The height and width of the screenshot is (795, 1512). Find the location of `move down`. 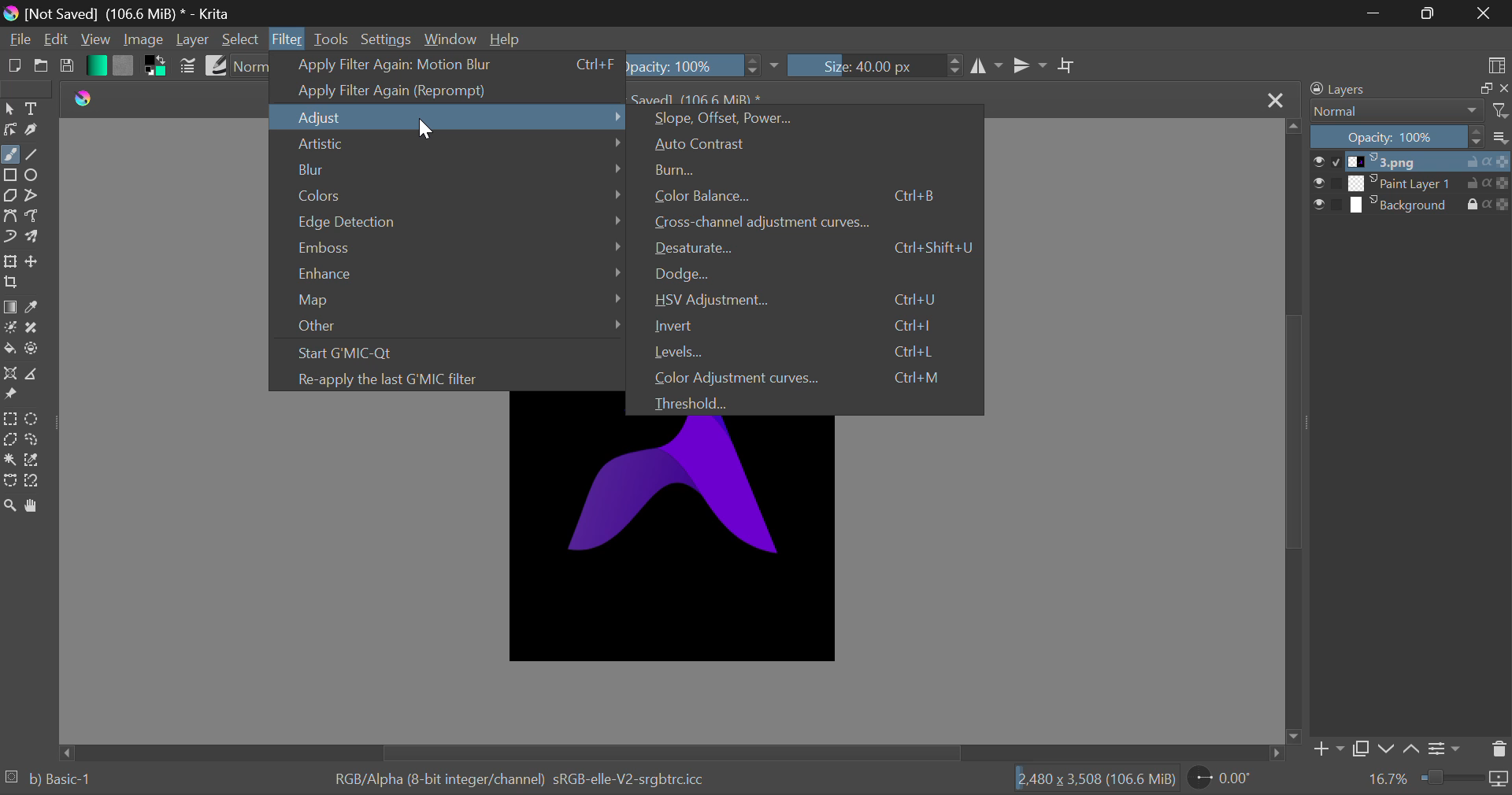

move down is located at coordinates (1296, 736).